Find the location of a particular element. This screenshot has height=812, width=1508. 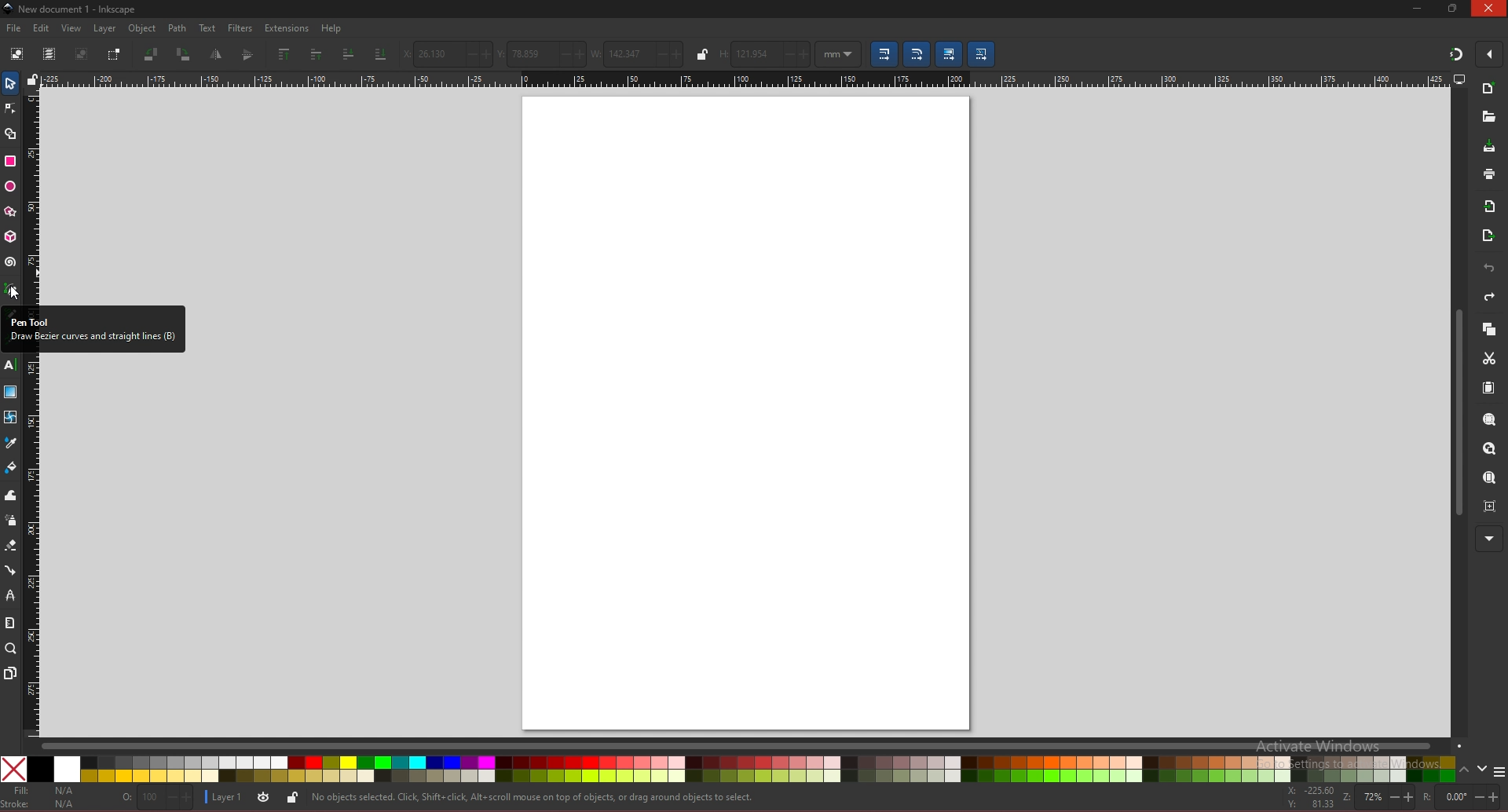

move gradient is located at coordinates (950, 54).